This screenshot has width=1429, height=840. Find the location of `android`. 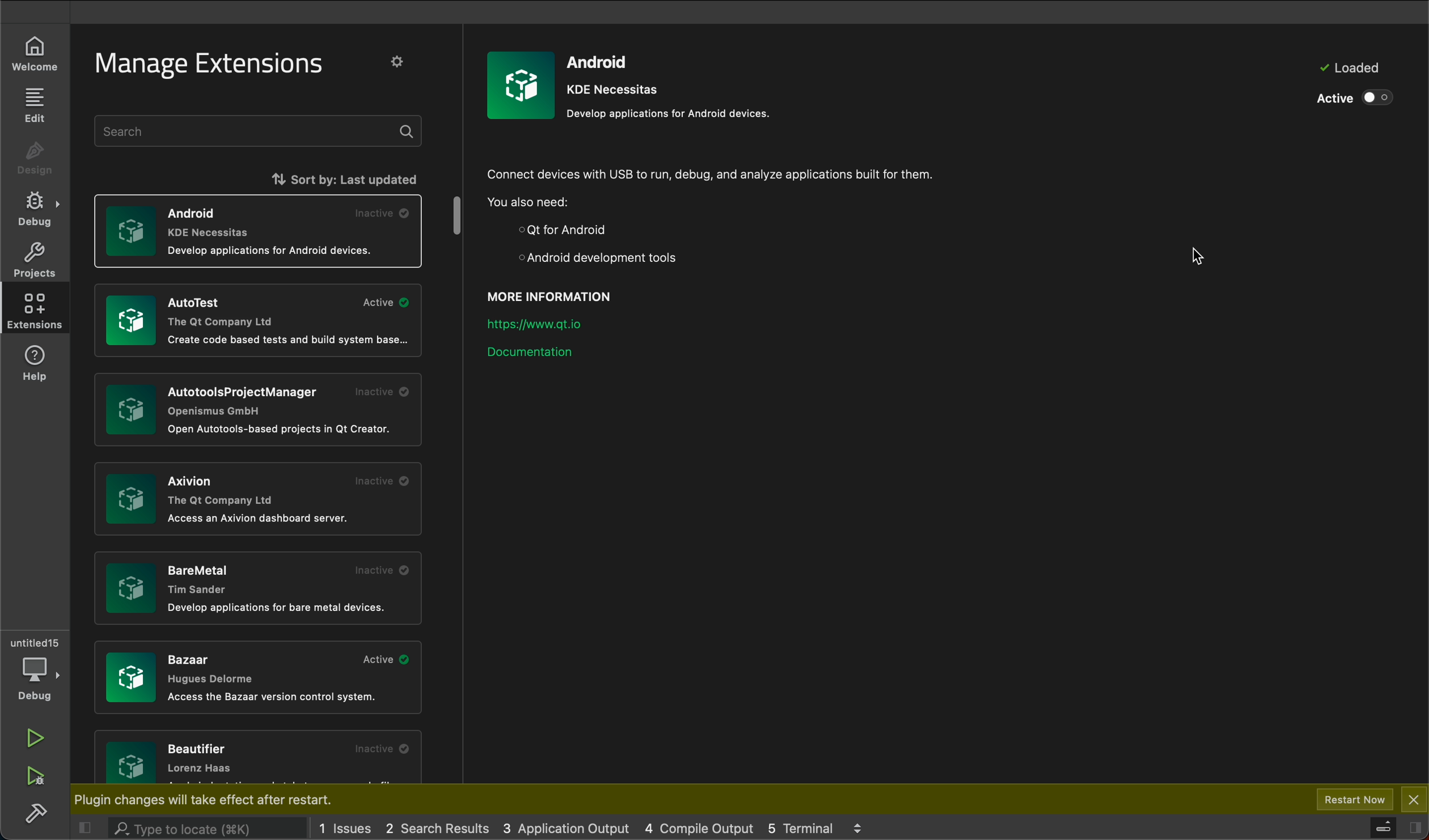

android is located at coordinates (674, 84).